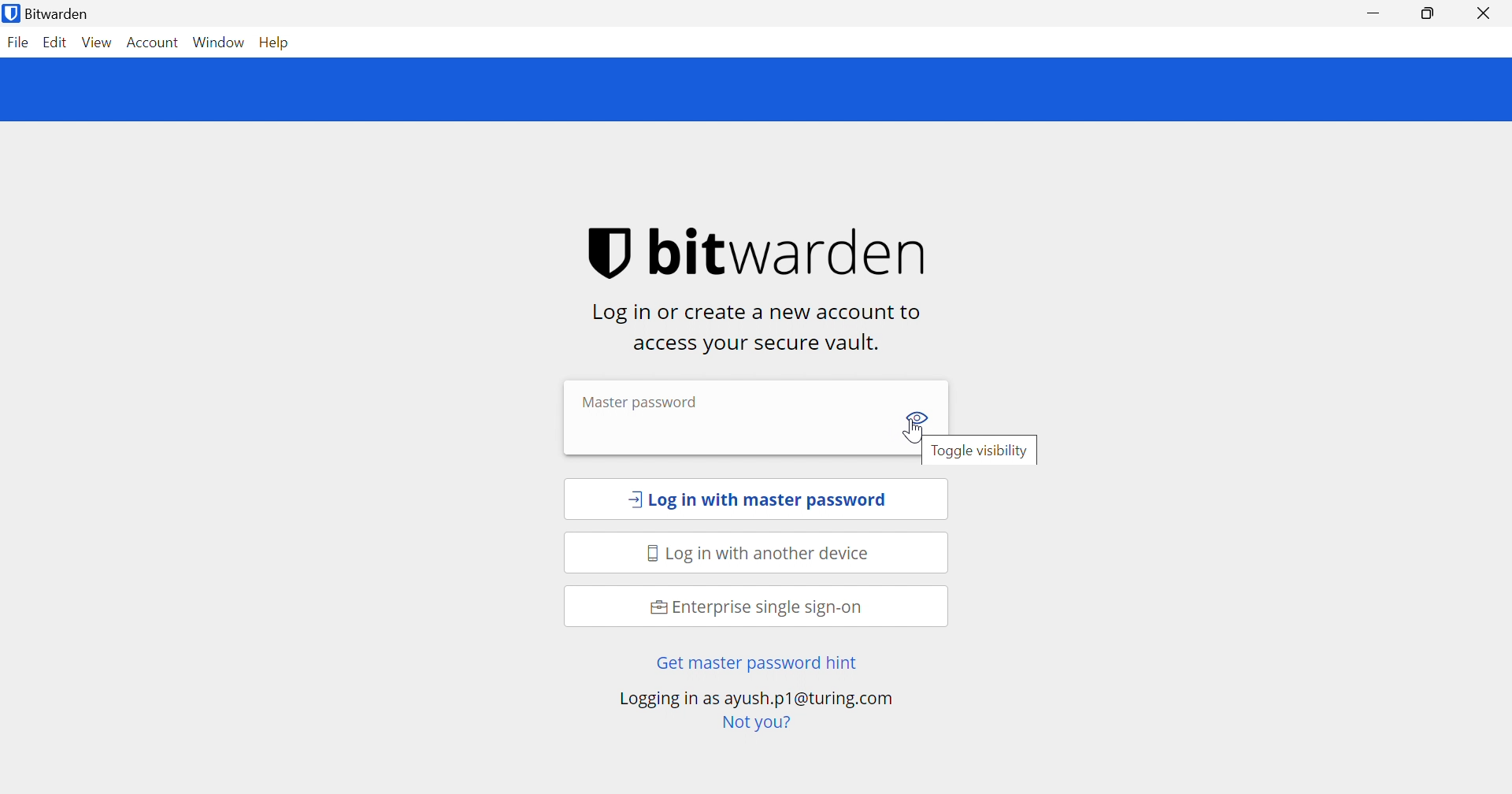 The width and height of the screenshot is (1512, 794). I want to click on Loging in as ayush.p1@turing .com, so click(755, 699).